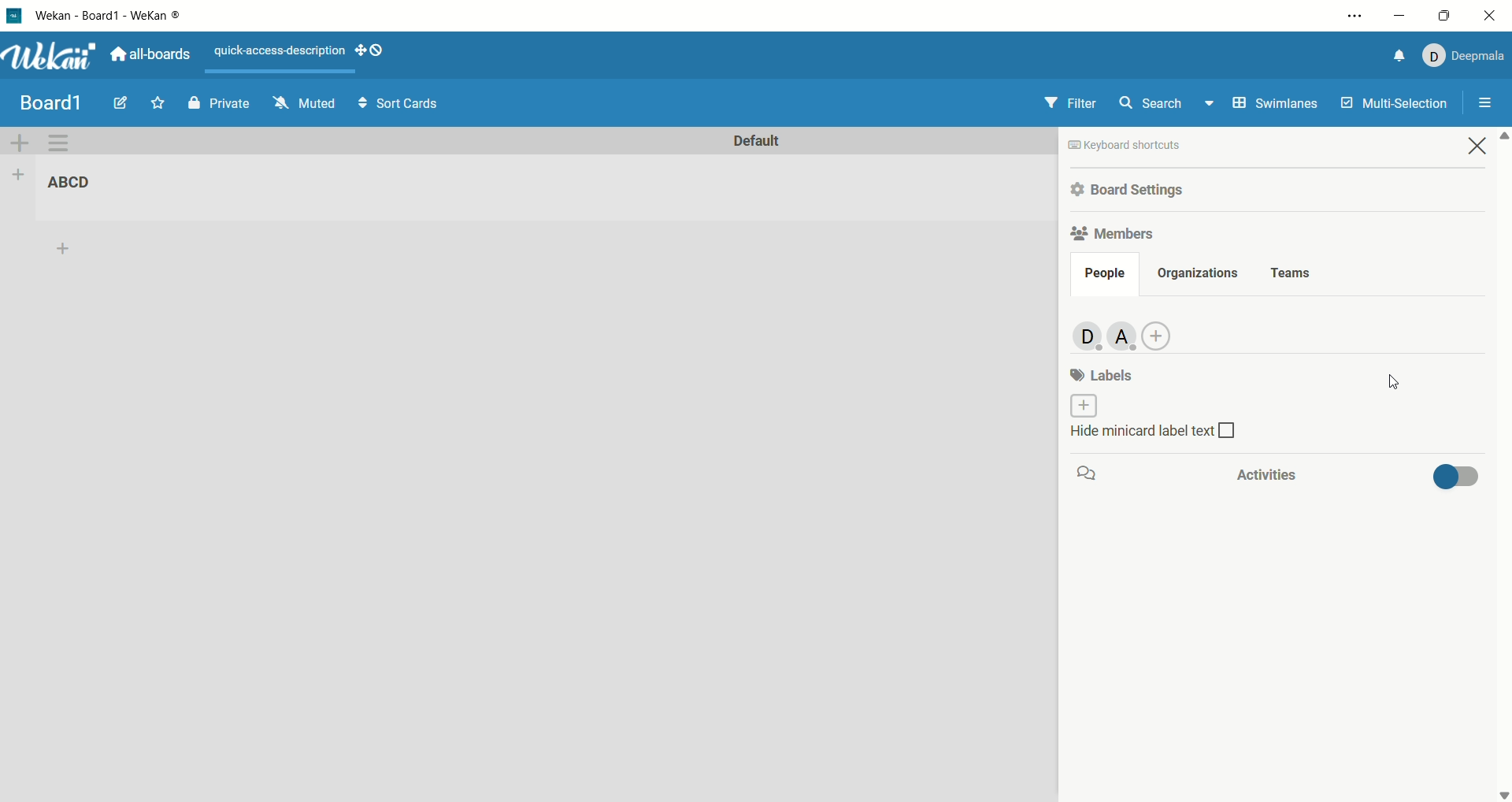  What do you see at coordinates (20, 144) in the screenshot?
I see `add swimlane` at bounding box center [20, 144].